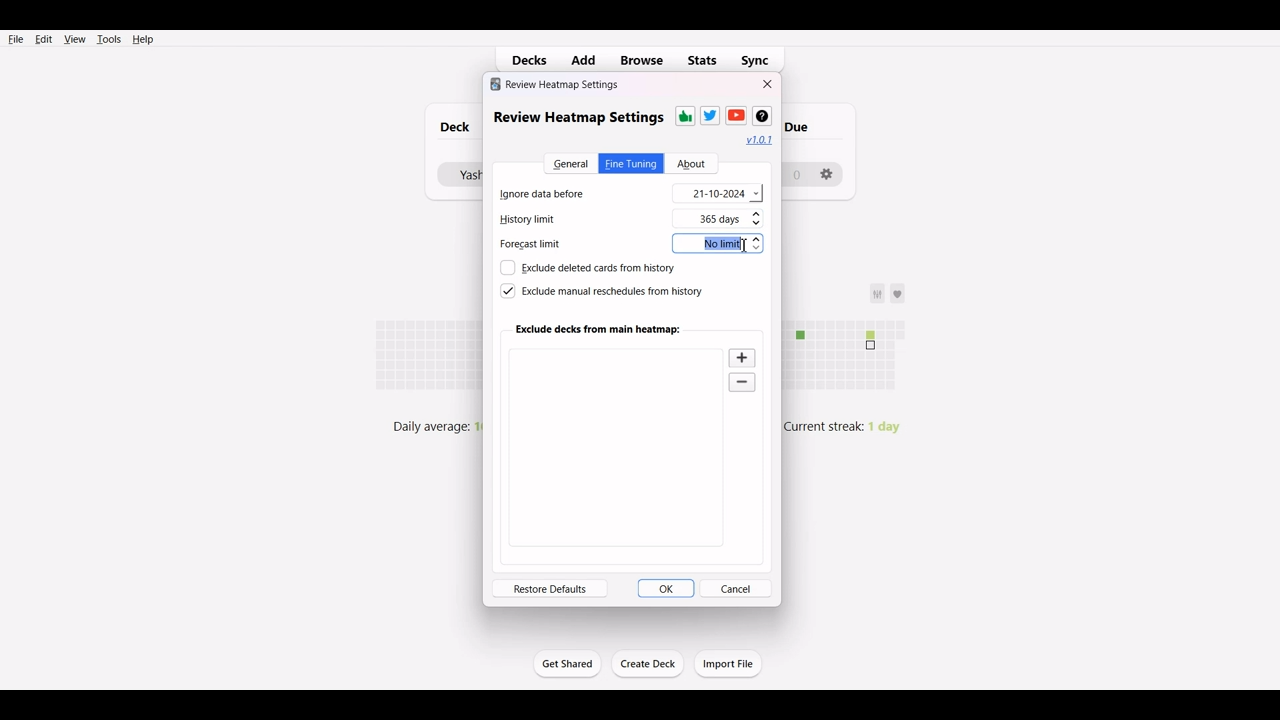  What do you see at coordinates (744, 246) in the screenshot?
I see `Text cursor` at bounding box center [744, 246].